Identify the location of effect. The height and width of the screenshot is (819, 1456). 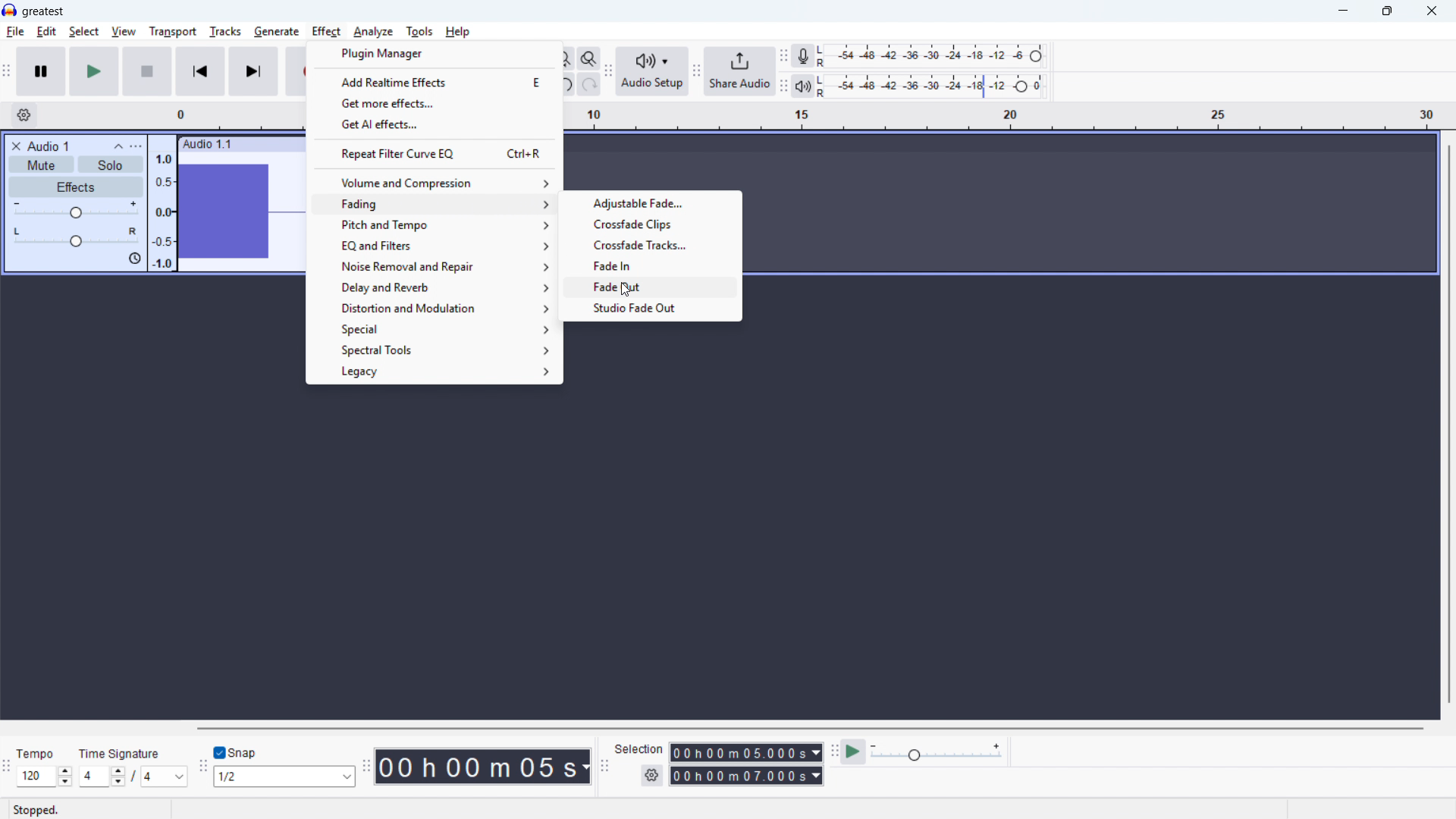
(327, 32).